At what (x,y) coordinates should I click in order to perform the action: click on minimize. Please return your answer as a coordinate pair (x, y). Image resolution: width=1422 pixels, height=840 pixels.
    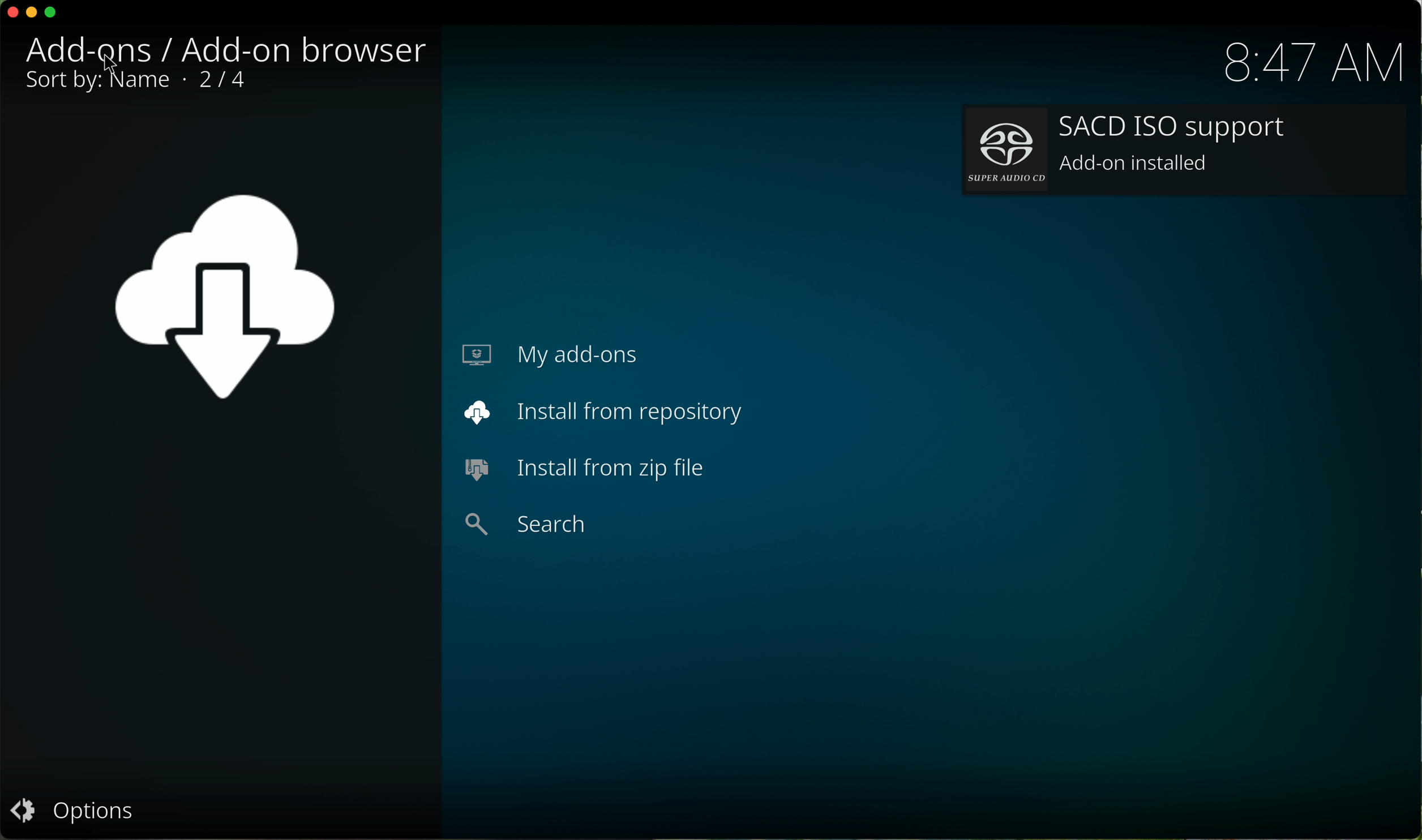
    Looking at the image, I should click on (33, 12).